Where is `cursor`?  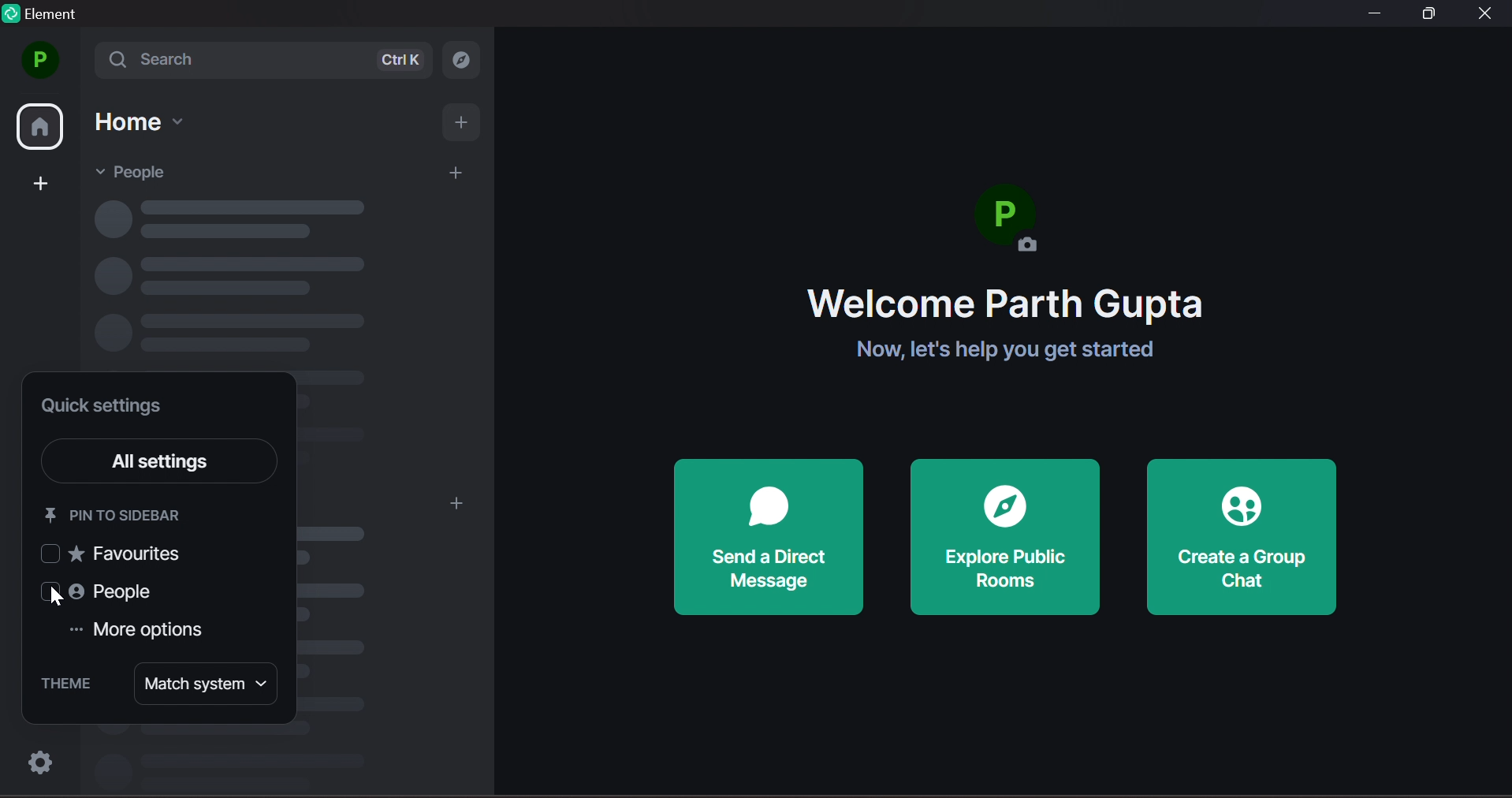 cursor is located at coordinates (55, 602).